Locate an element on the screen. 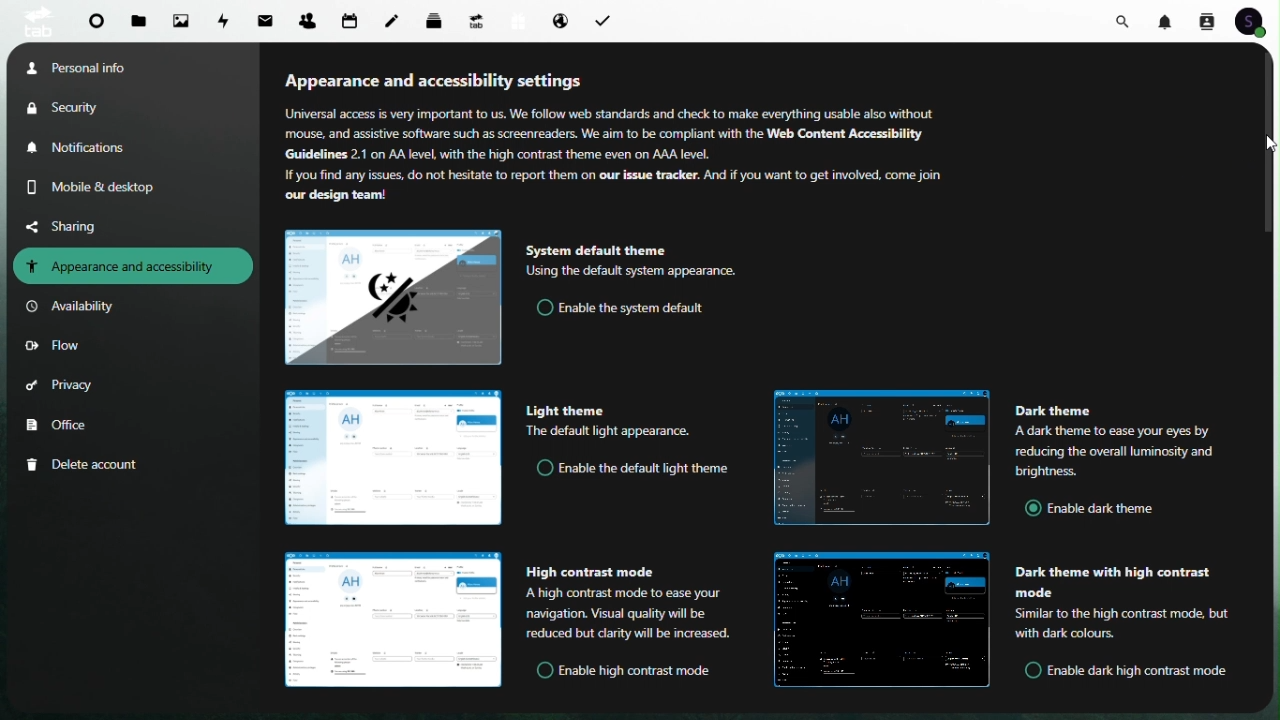 The image size is (1280, 720). Cursor is located at coordinates (1267, 144).